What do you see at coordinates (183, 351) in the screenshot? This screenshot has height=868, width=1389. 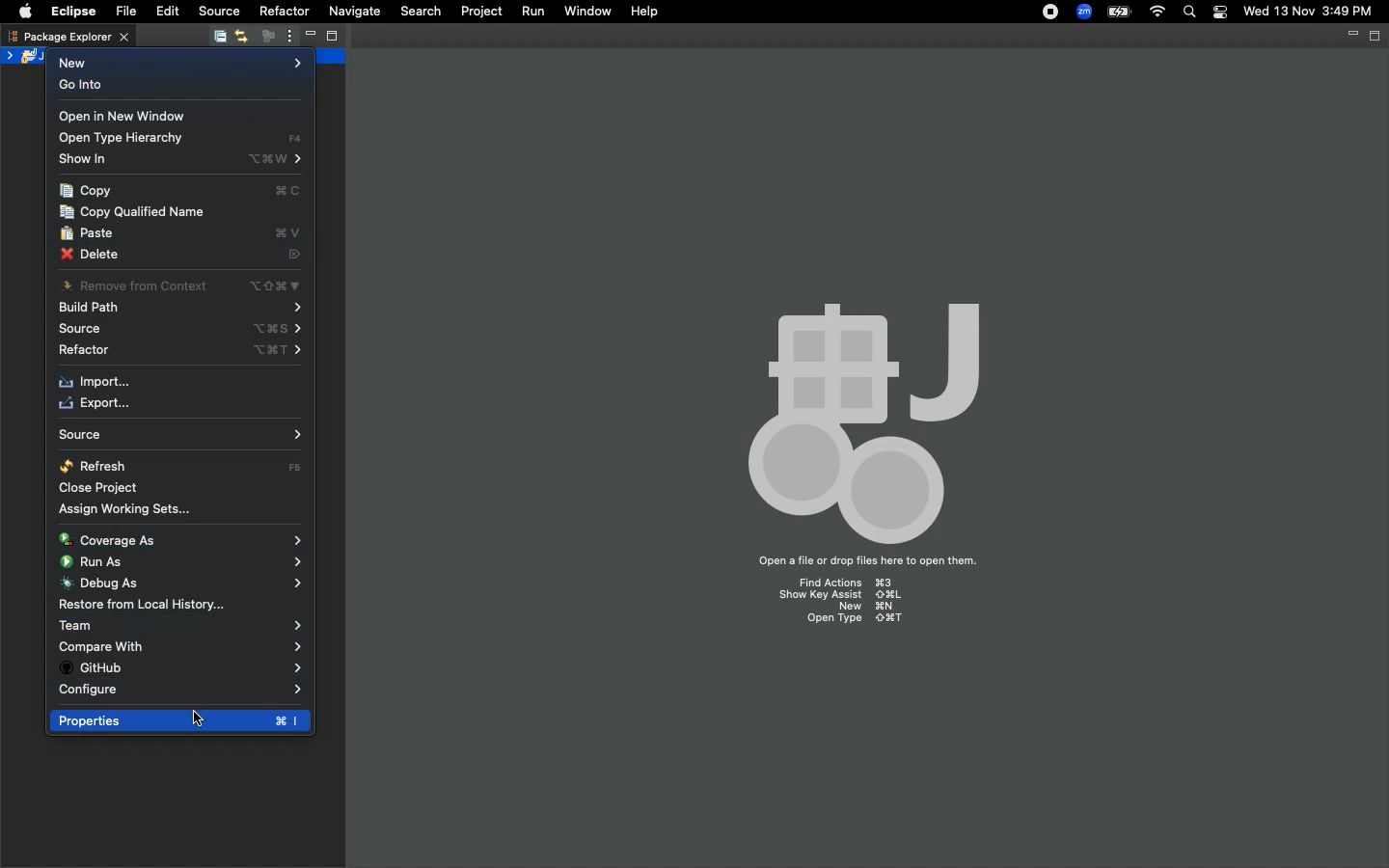 I see `Refactor` at bounding box center [183, 351].